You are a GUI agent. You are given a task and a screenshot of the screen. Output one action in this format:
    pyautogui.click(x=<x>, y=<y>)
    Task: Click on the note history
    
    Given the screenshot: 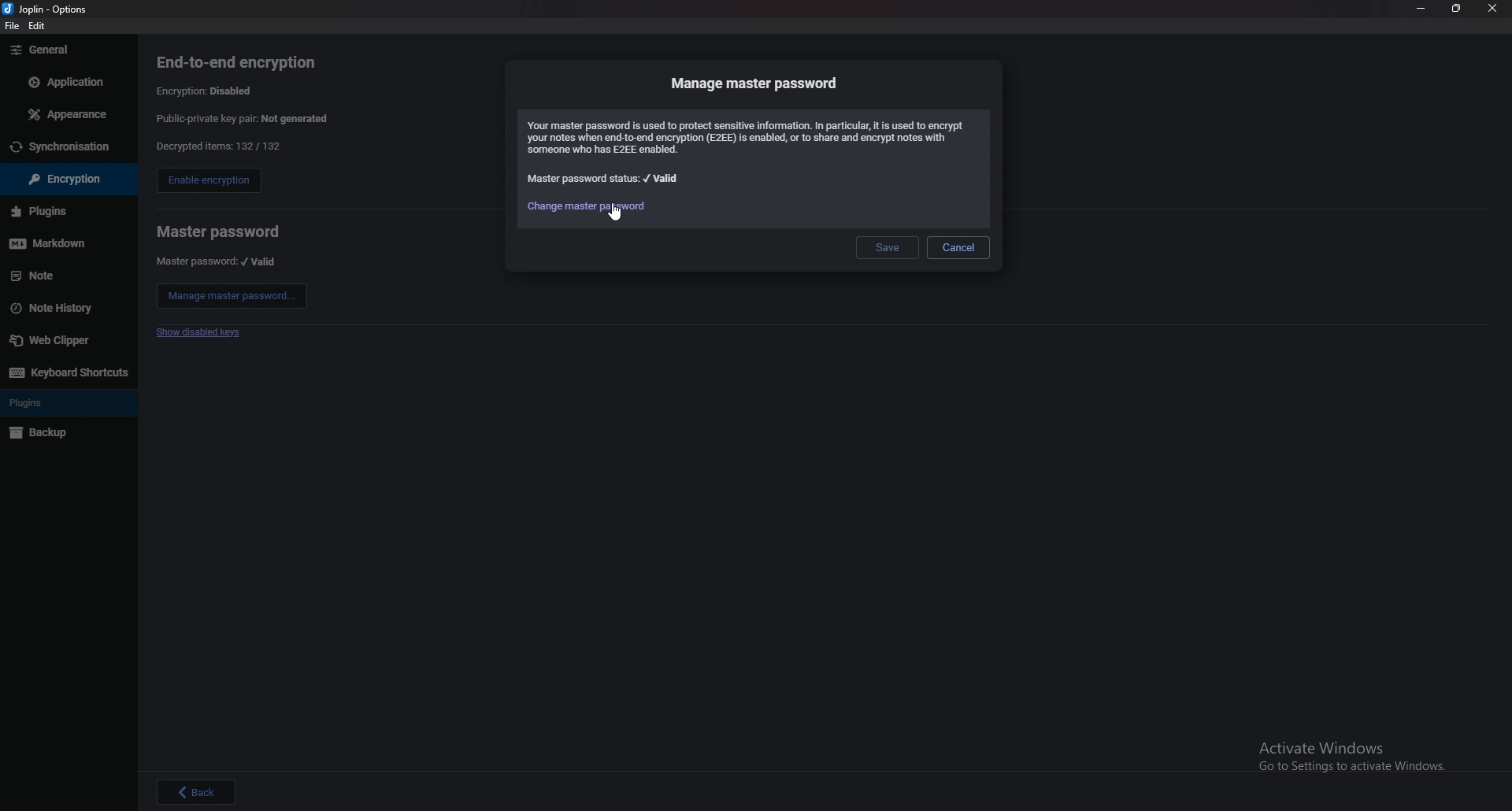 What is the action you would take?
    pyautogui.click(x=64, y=307)
    